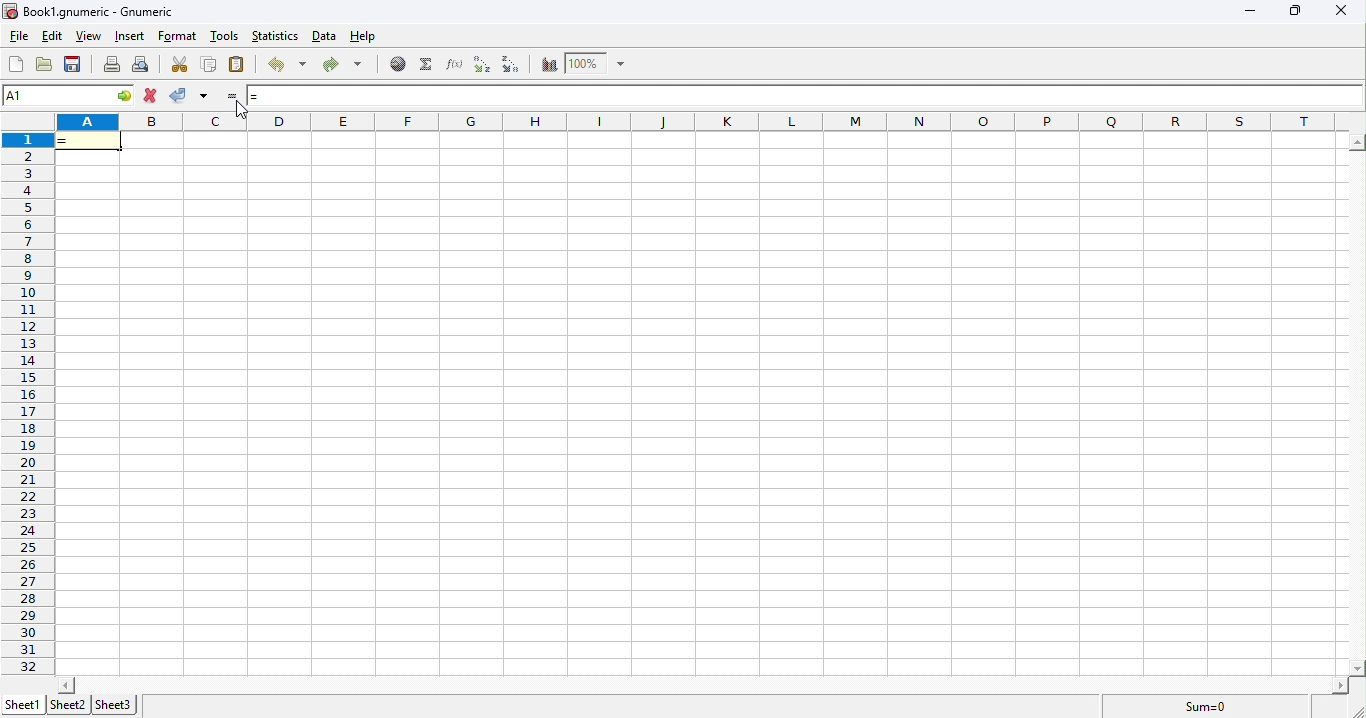 The image size is (1366, 718). I want to click on open, so click(45, 65).